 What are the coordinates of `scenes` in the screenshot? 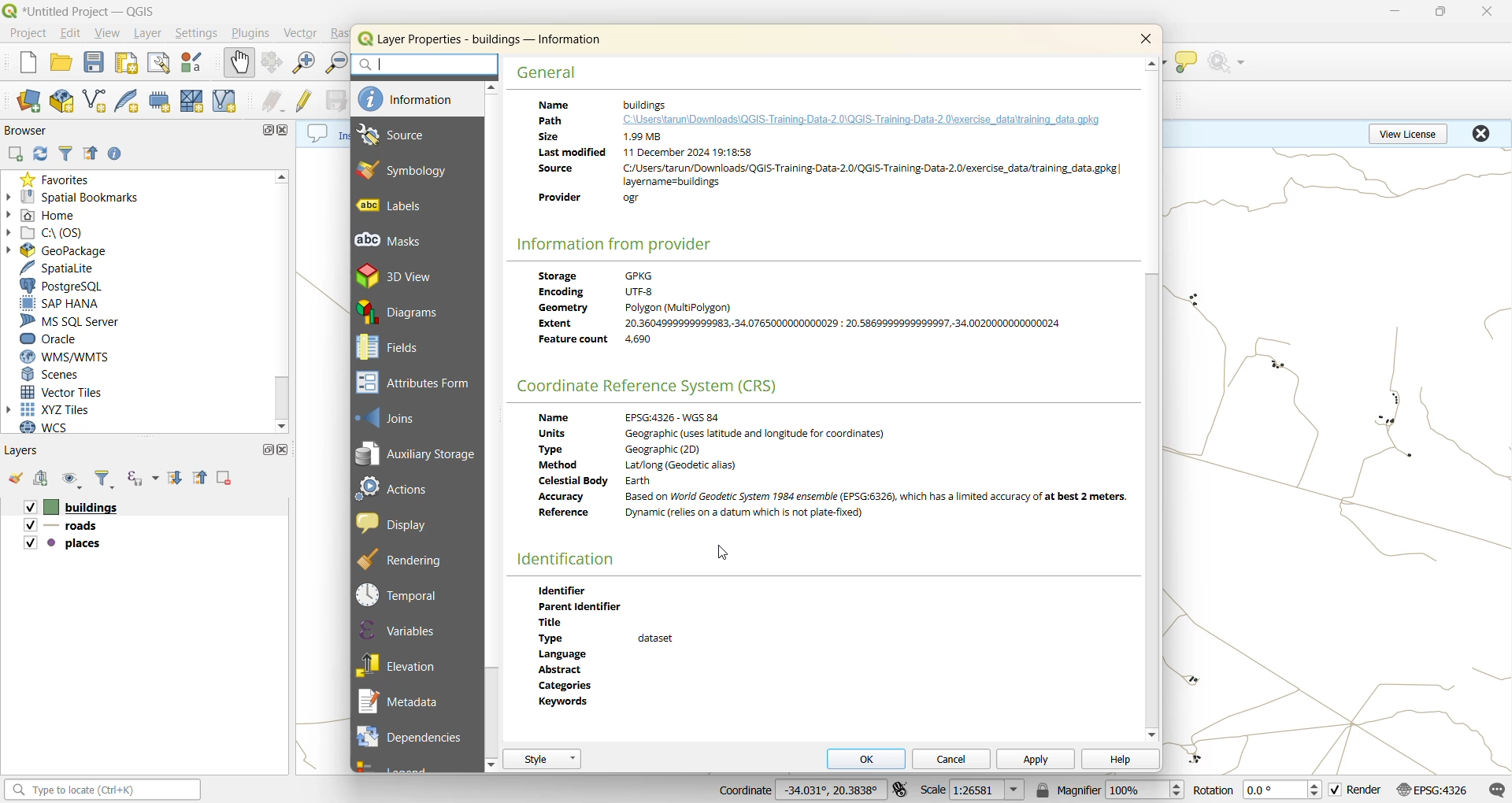 It's located at (64, 376).